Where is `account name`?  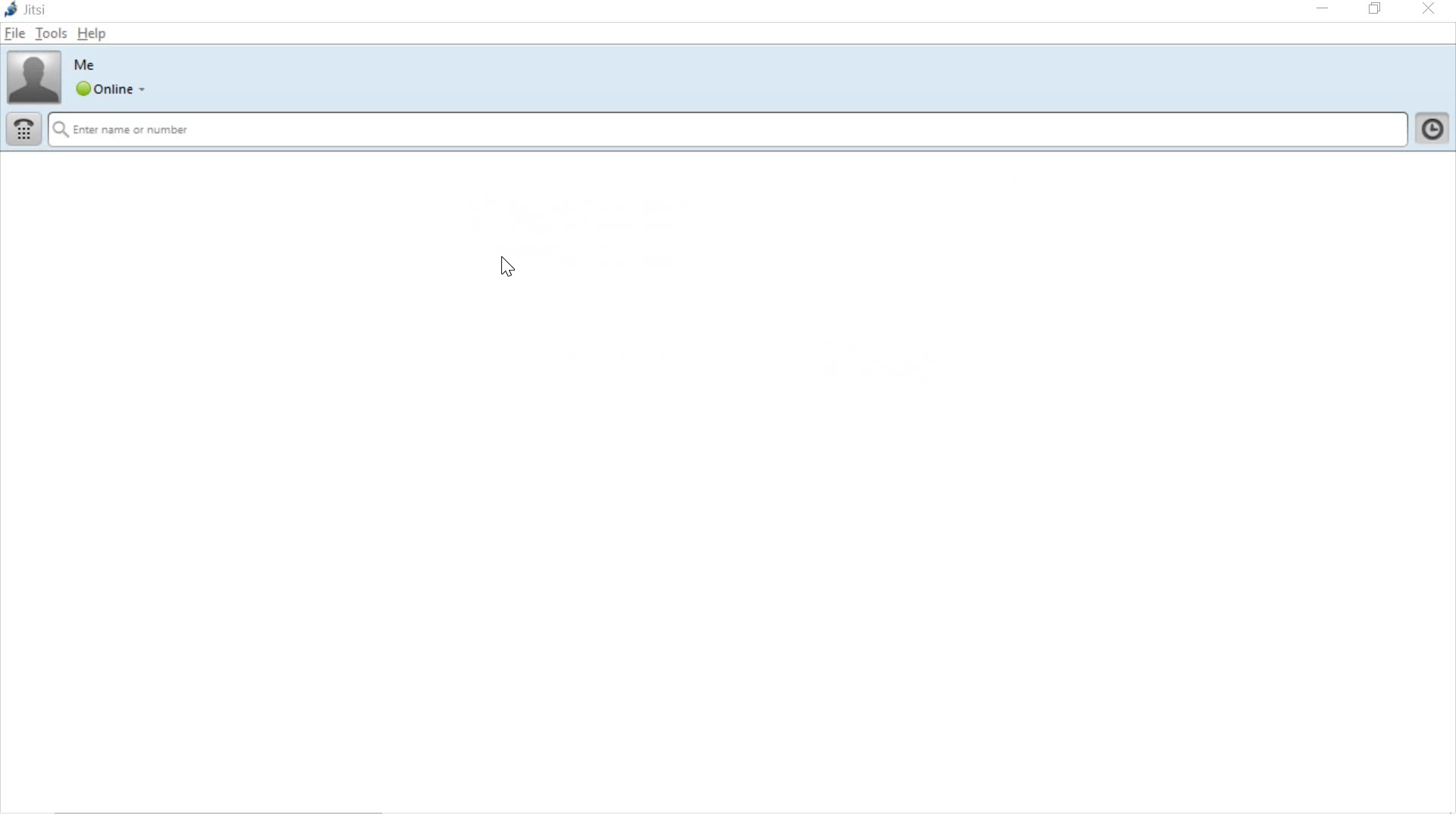
account name is located at coordinates (87, 64).